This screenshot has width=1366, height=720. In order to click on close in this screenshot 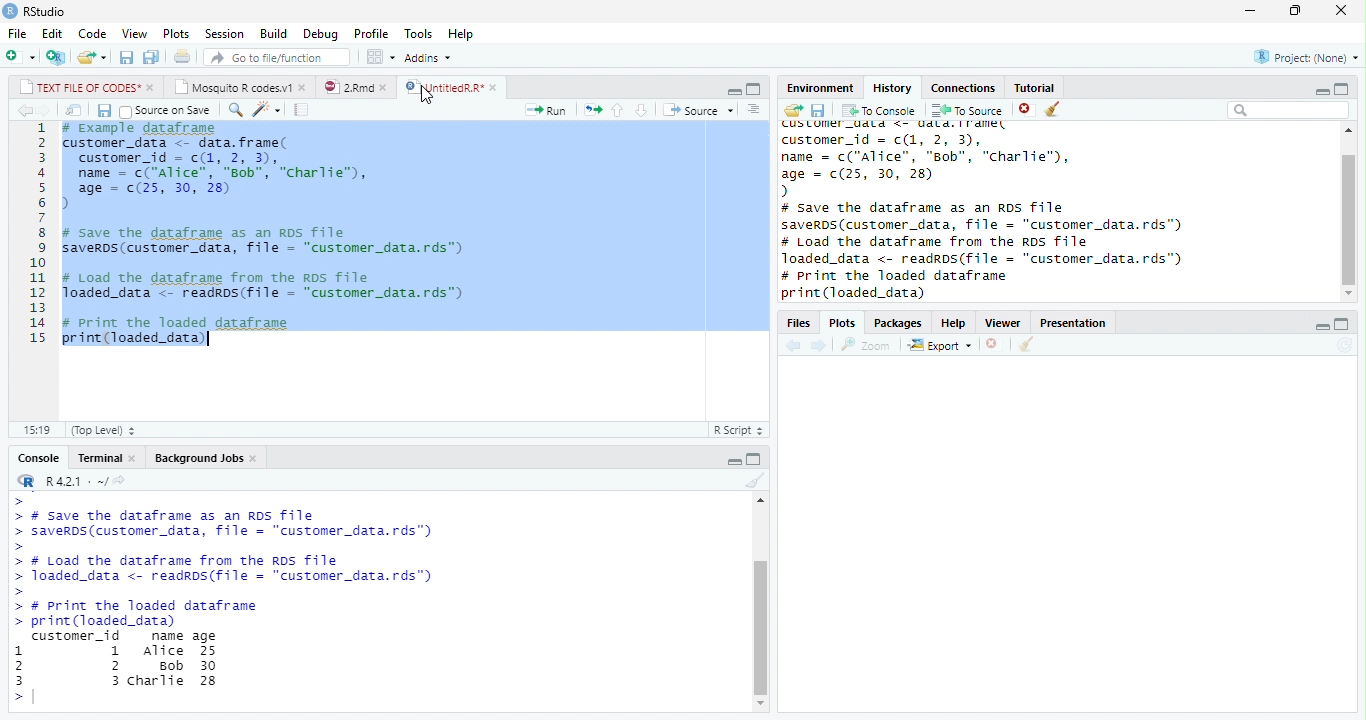, I will do `click(134, 459)`.